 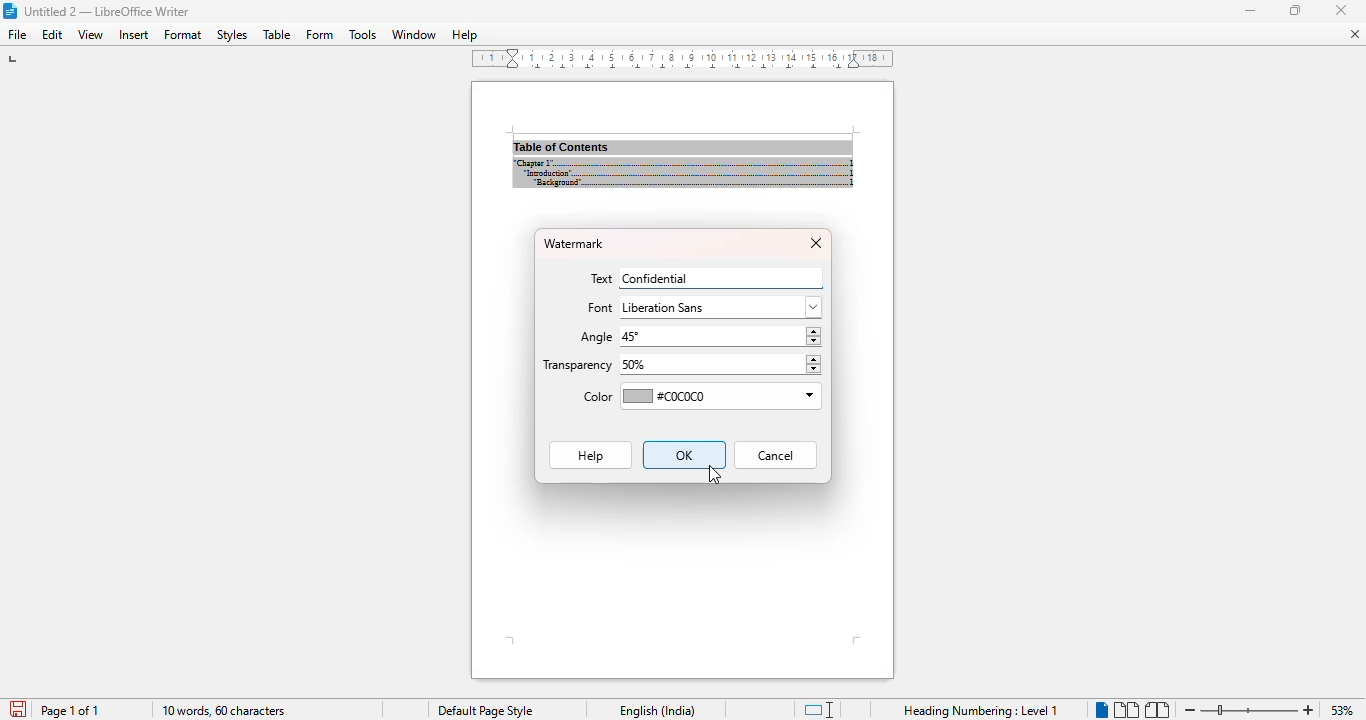 What do you see at coordinates (465, 34) in the screenshot?
I see `help` at bounding box center [465, 34].